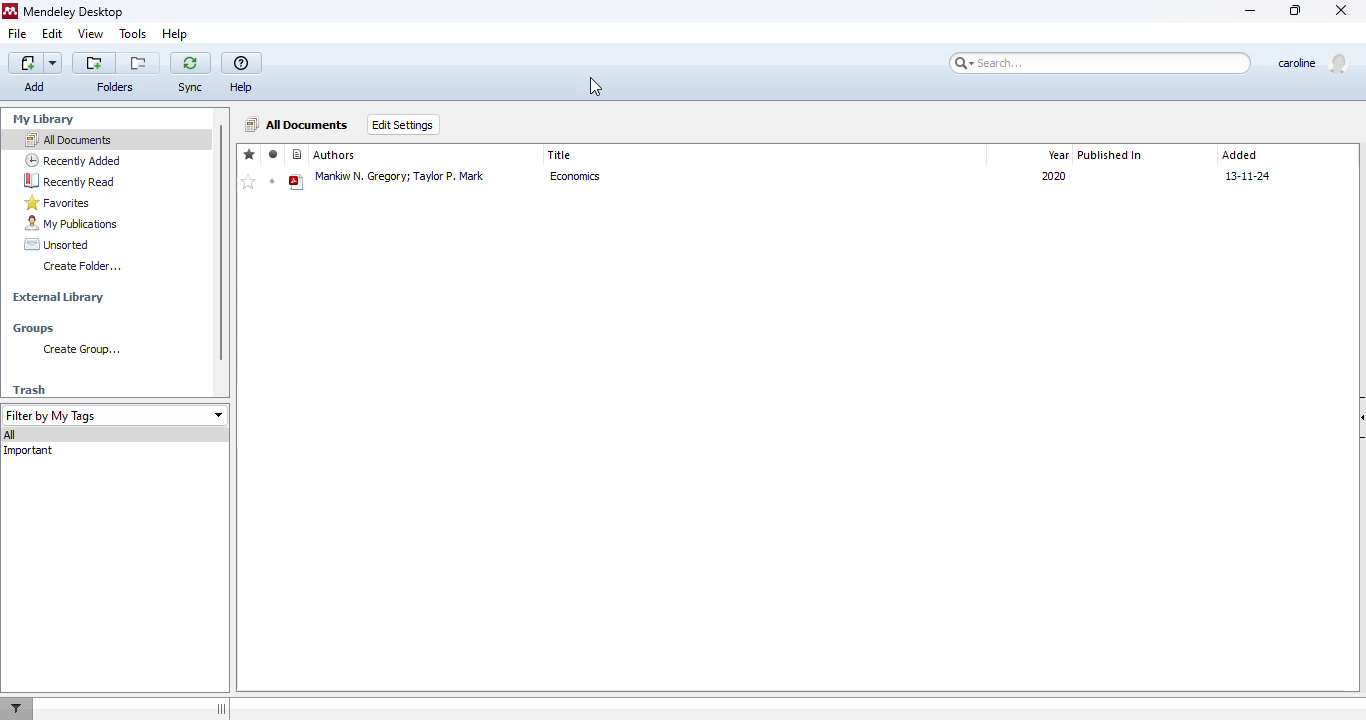 The height and width of the screenshot is (720, 1366). Describe the element at coordinates (73, 11) in the screenshot. I see `mendeley desktop` at that location.